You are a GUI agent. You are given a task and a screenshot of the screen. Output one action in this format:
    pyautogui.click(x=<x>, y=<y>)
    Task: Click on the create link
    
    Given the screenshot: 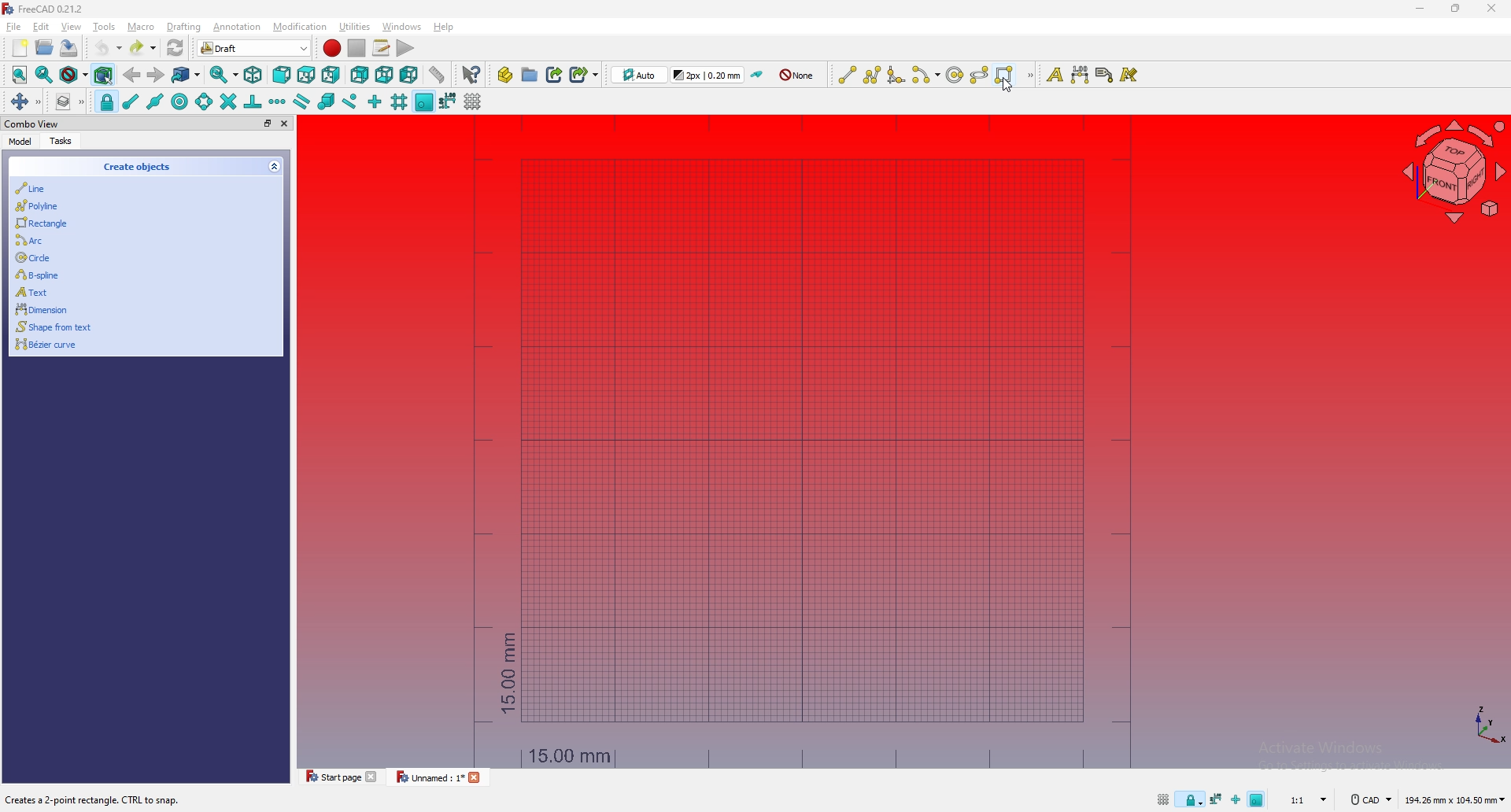 What is the action you would take?
    pyautogui.click(x=555, y=74)
    